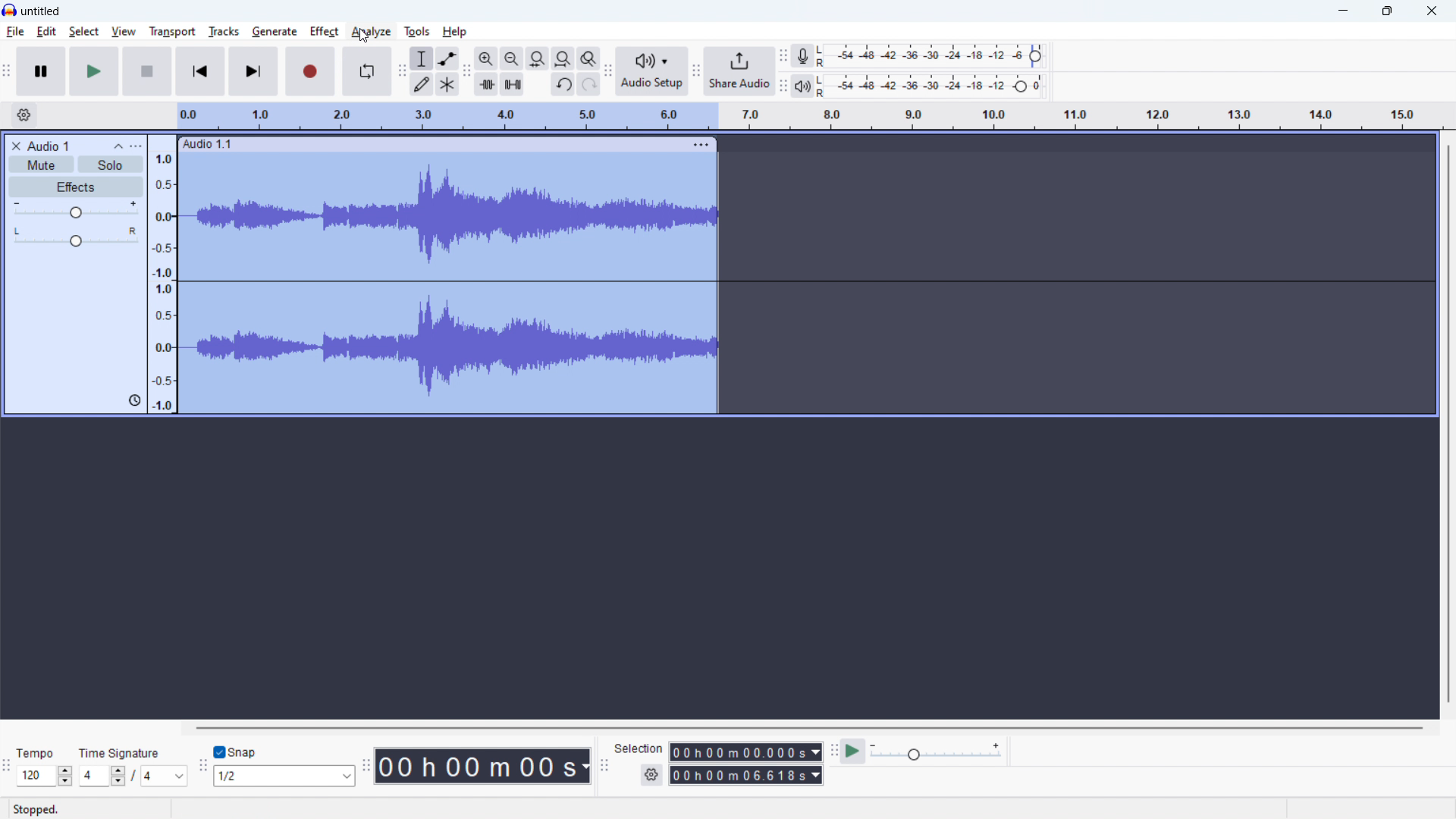 The width and height of the screenshot is (1456, 819). I want to click on help, so click(455, 31).